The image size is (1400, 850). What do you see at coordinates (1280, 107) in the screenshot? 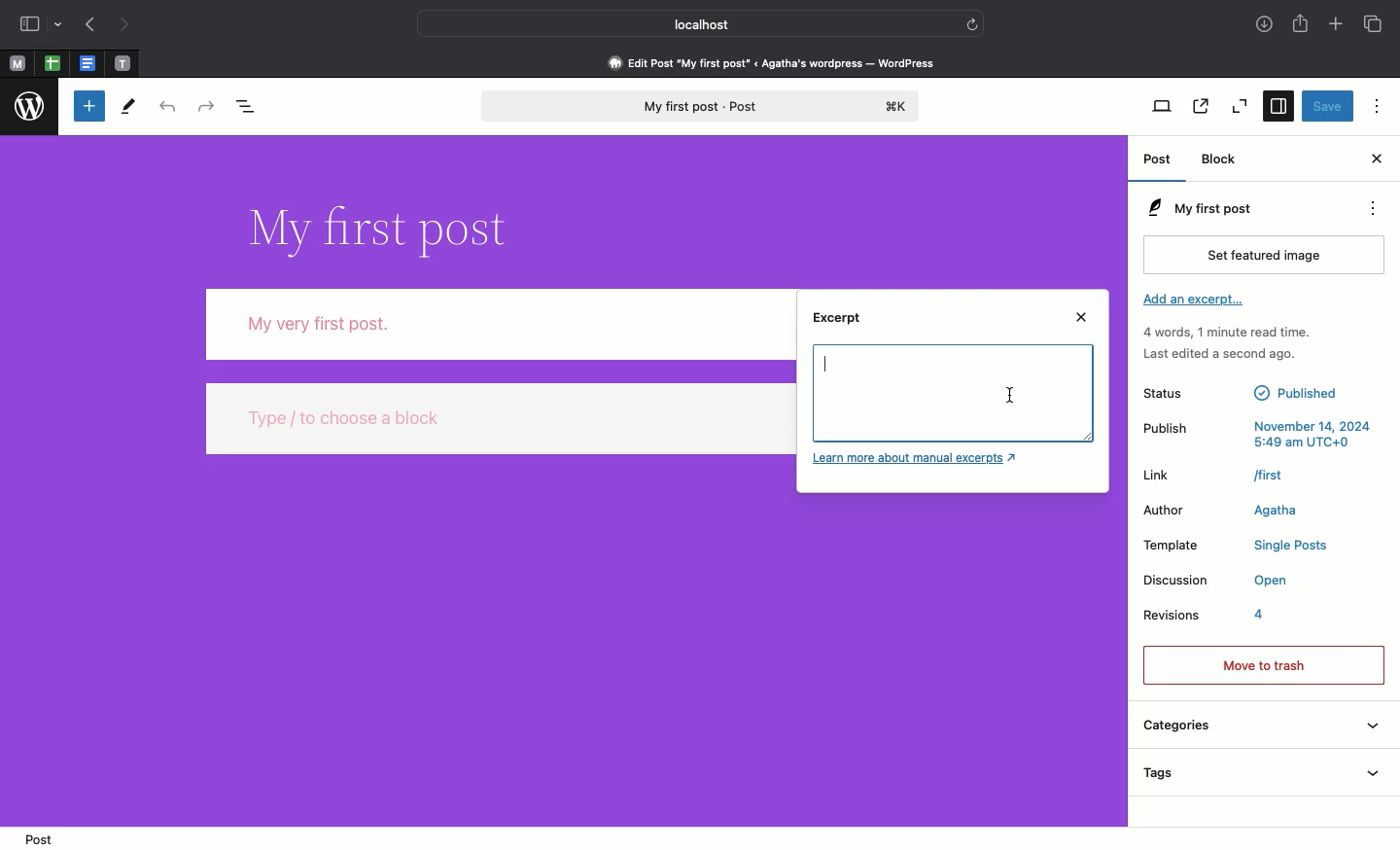
I see `Settings` at bounding box center [1280, 107].